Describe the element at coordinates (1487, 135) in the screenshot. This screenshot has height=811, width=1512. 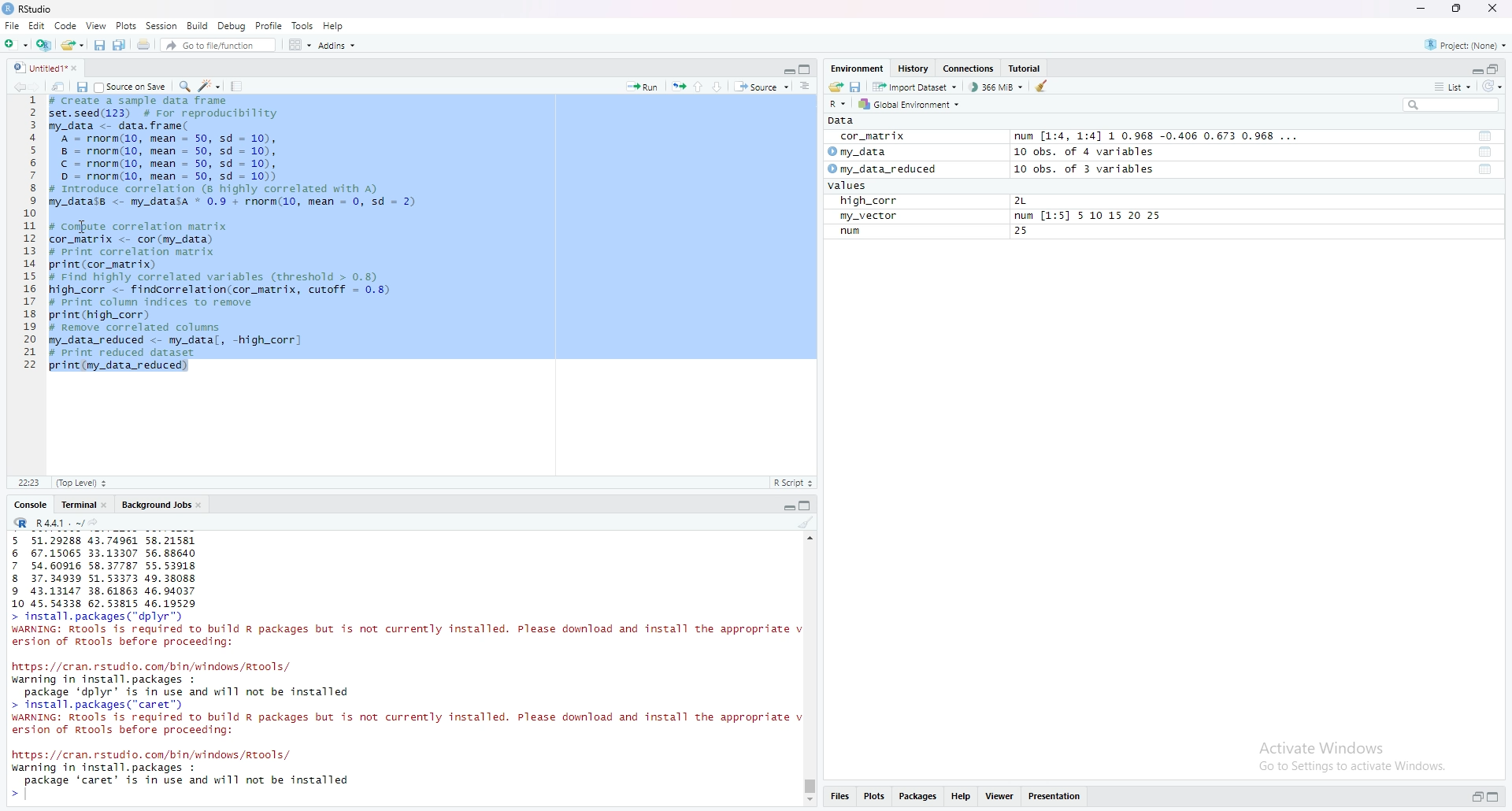
I see `tool` at that location.